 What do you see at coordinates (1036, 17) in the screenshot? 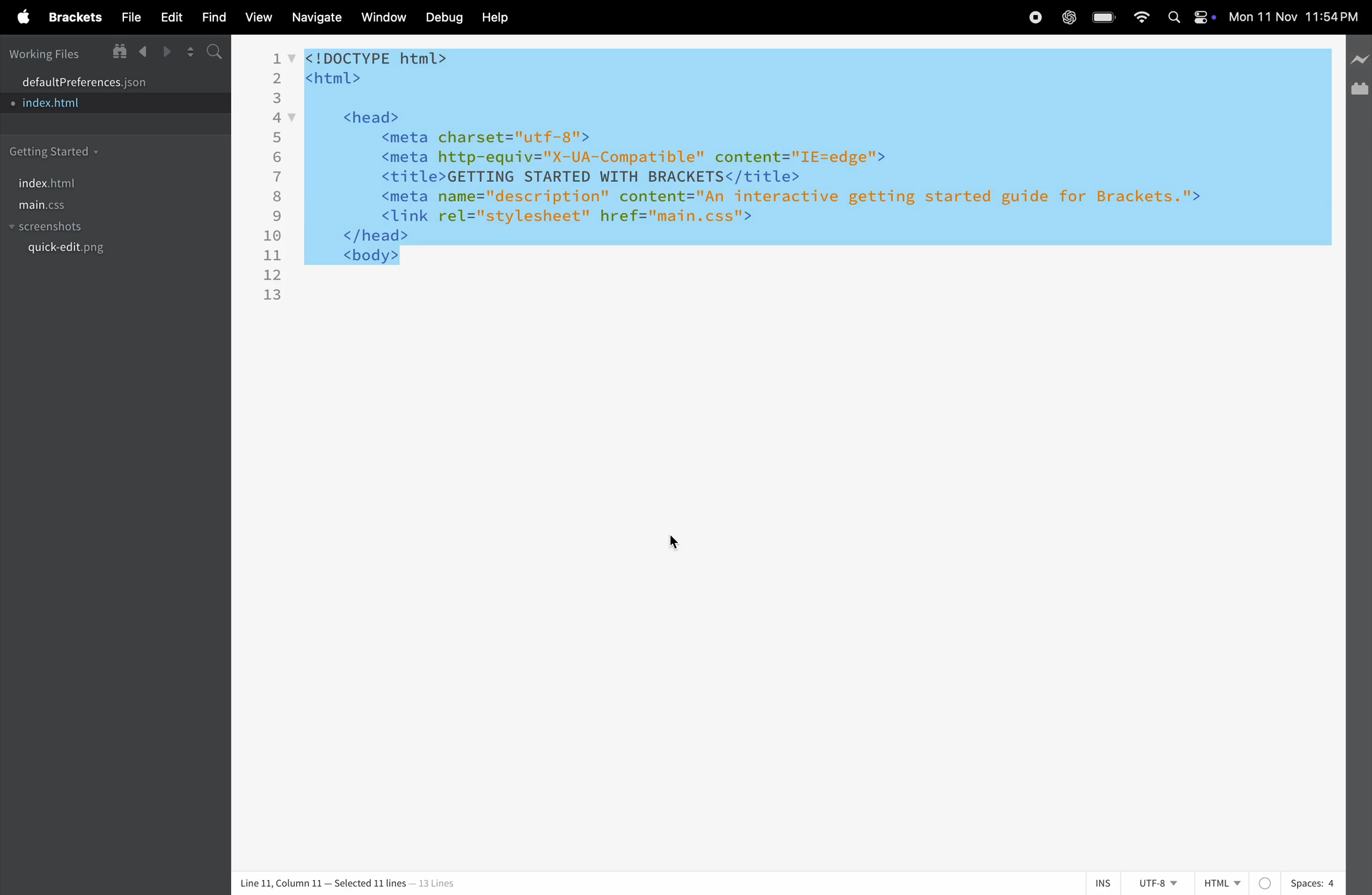
I see `record` at bounding box center [1036, 17].